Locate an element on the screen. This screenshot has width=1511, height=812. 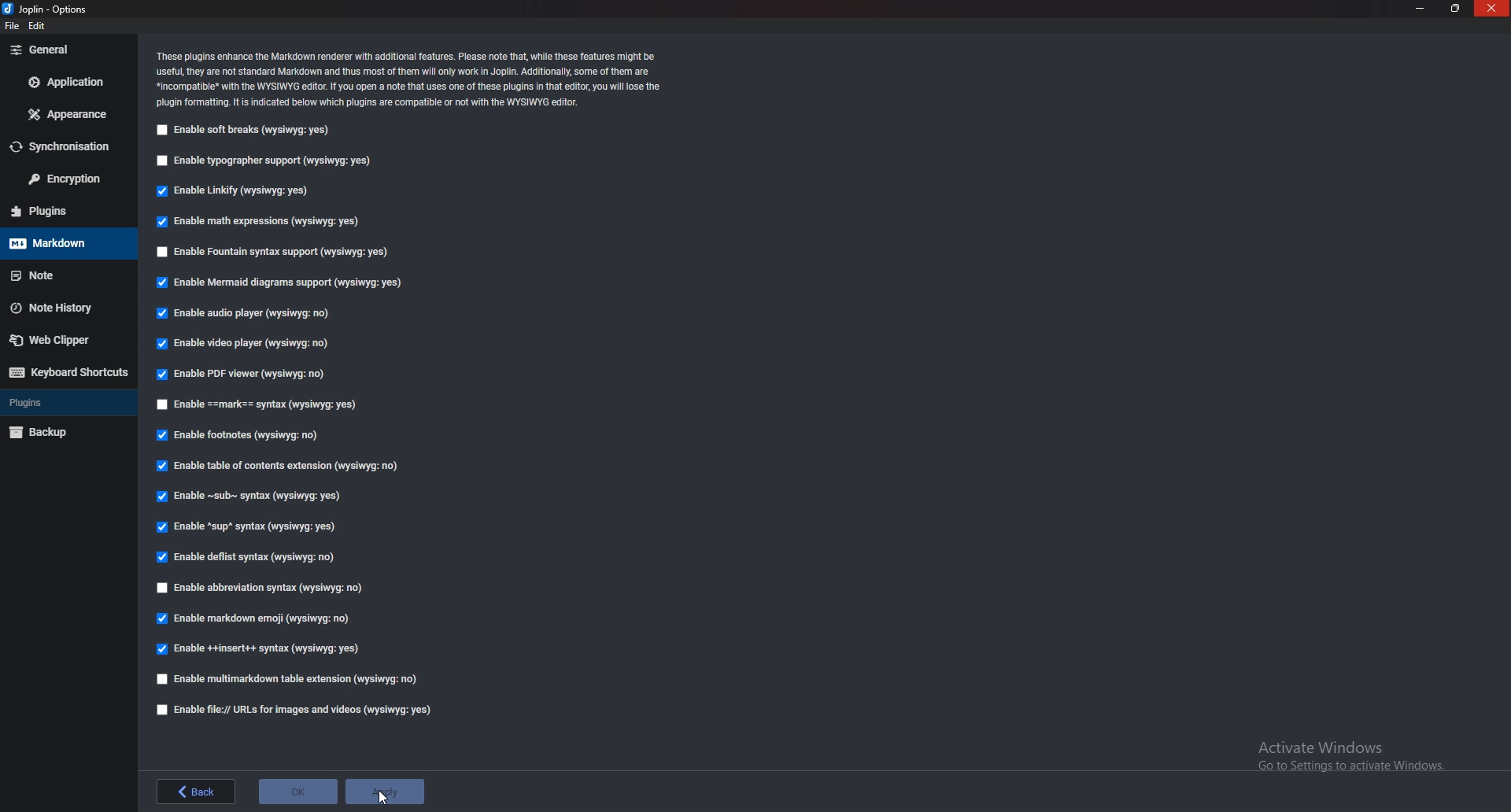
close is located at coordinates (1492, 9).